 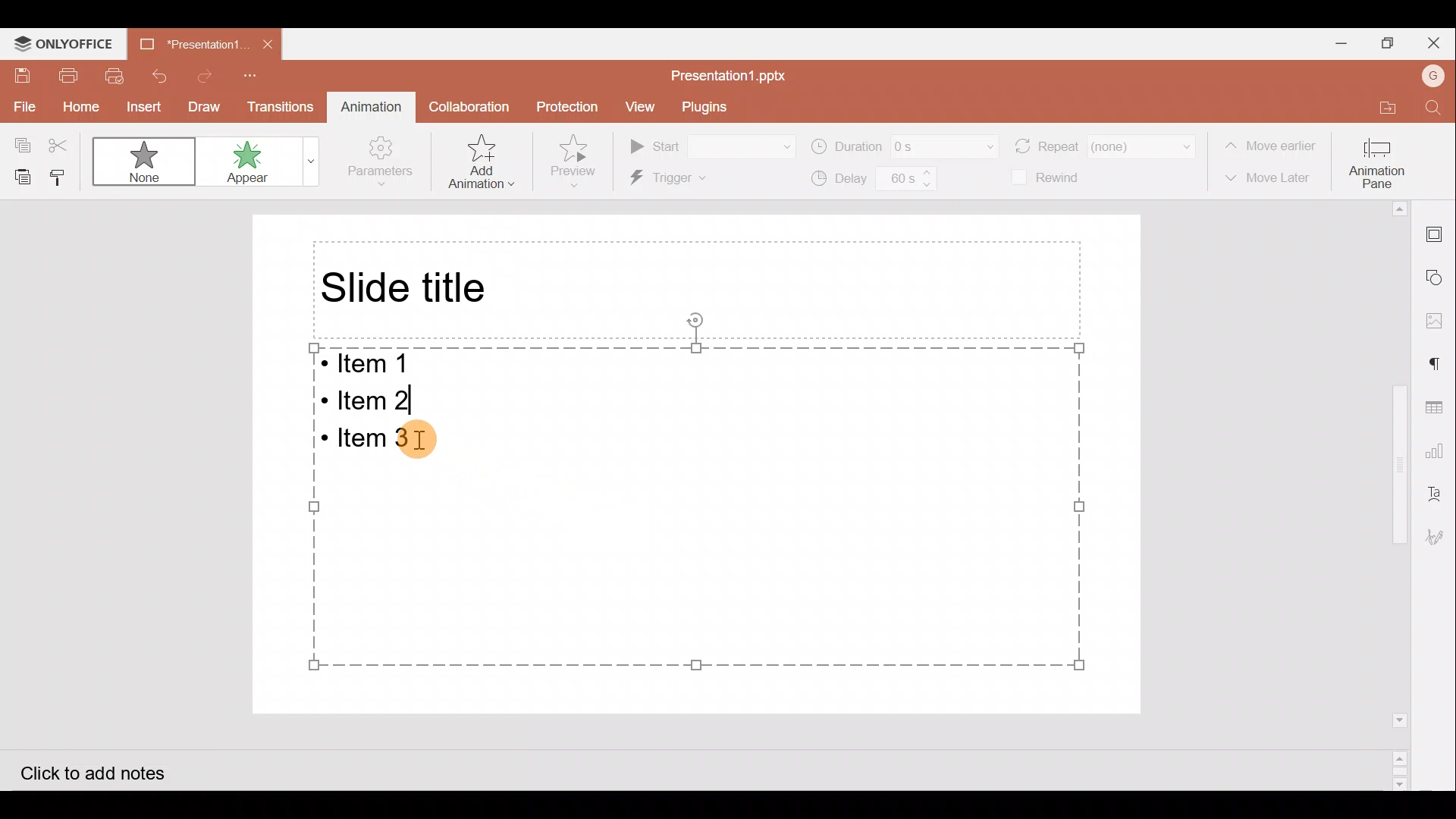 What do you see at coordinates (109, 770) in the screenshot?
I see `Click to add notes` at bounding box center [109, 770].